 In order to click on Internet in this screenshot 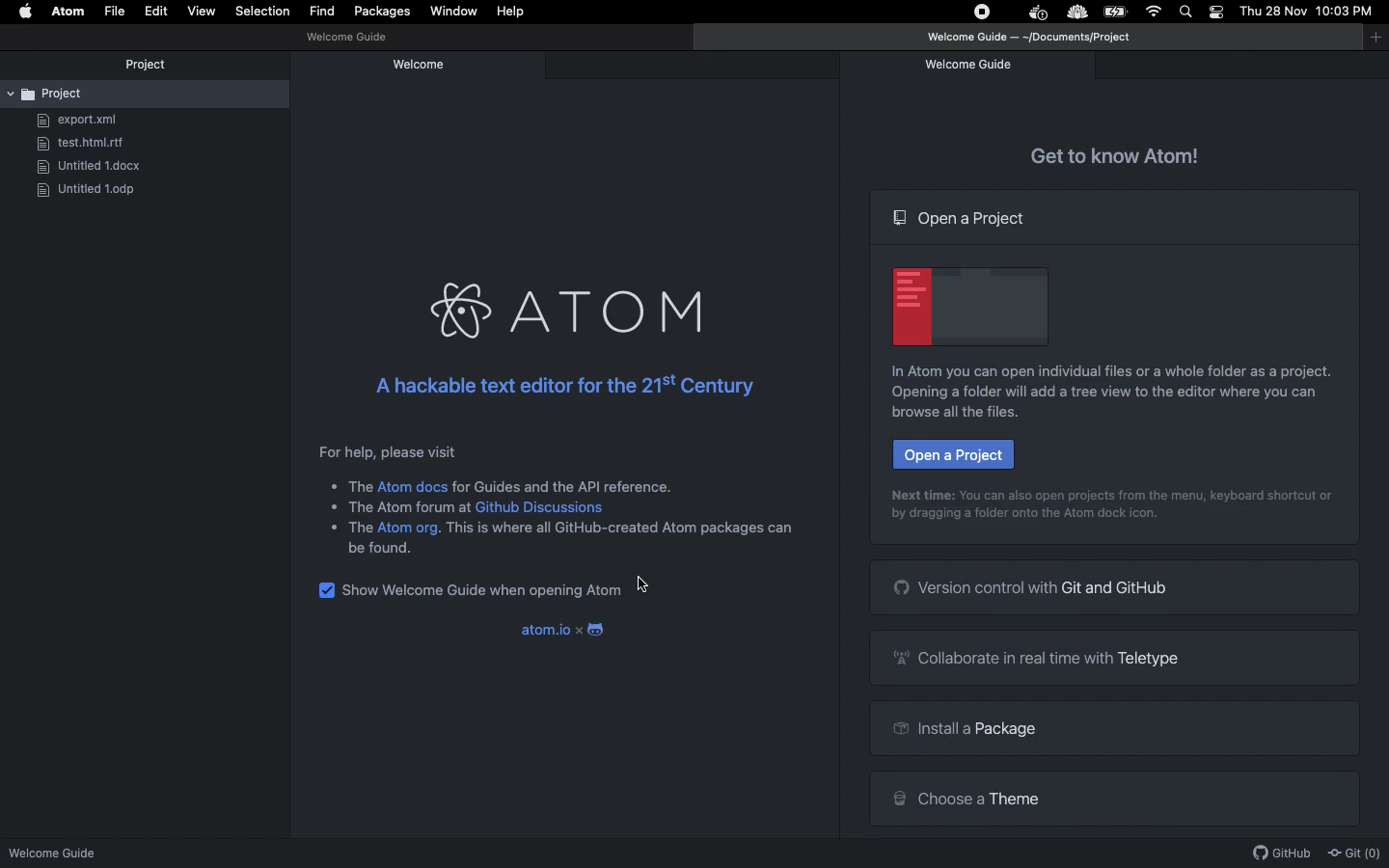, I will do `click(1156, 12)`.